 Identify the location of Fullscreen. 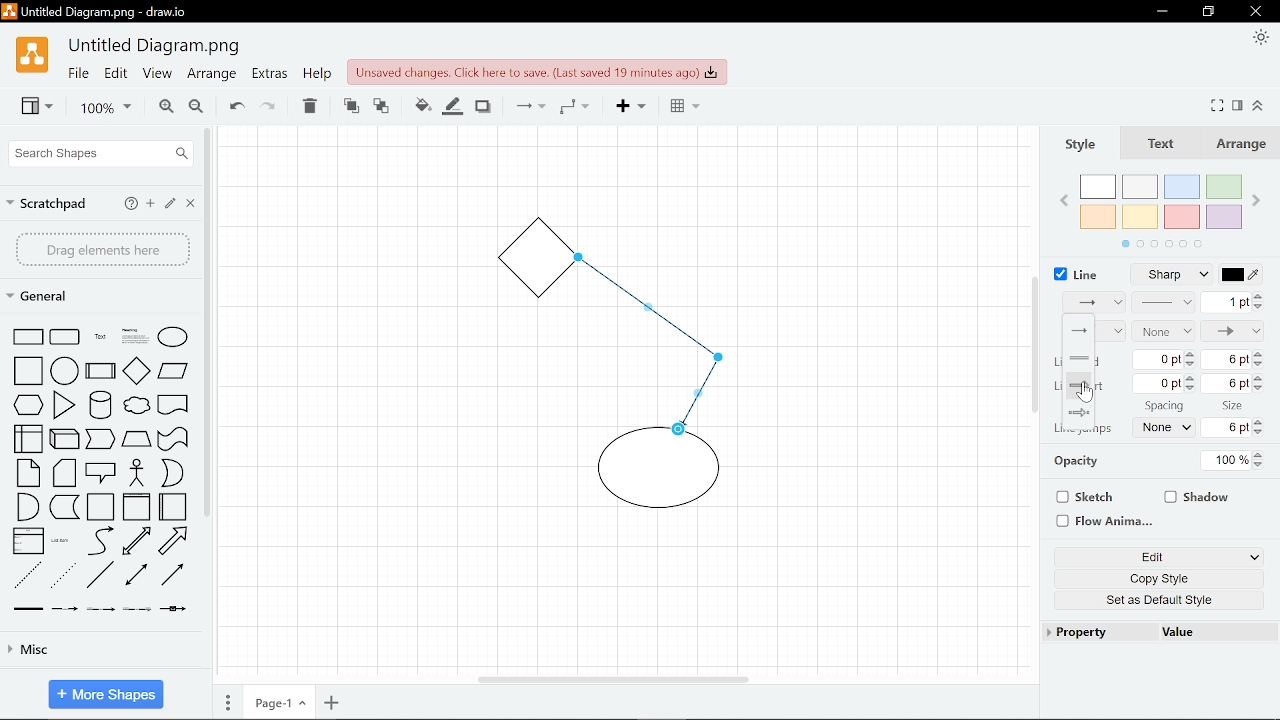
(1219, 105).